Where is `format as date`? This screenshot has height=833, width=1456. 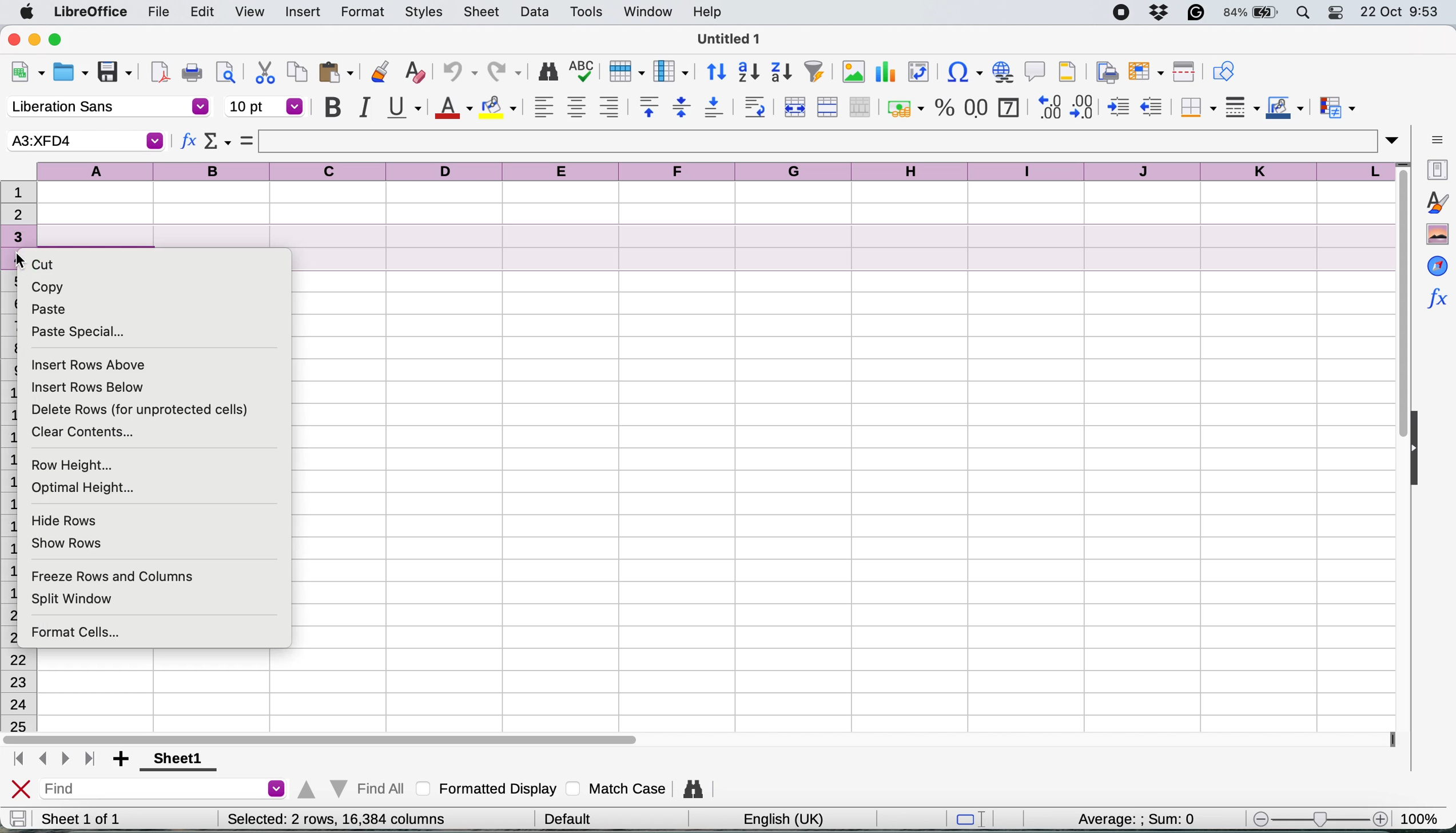
format as date is located at coordinates (1008, 106).